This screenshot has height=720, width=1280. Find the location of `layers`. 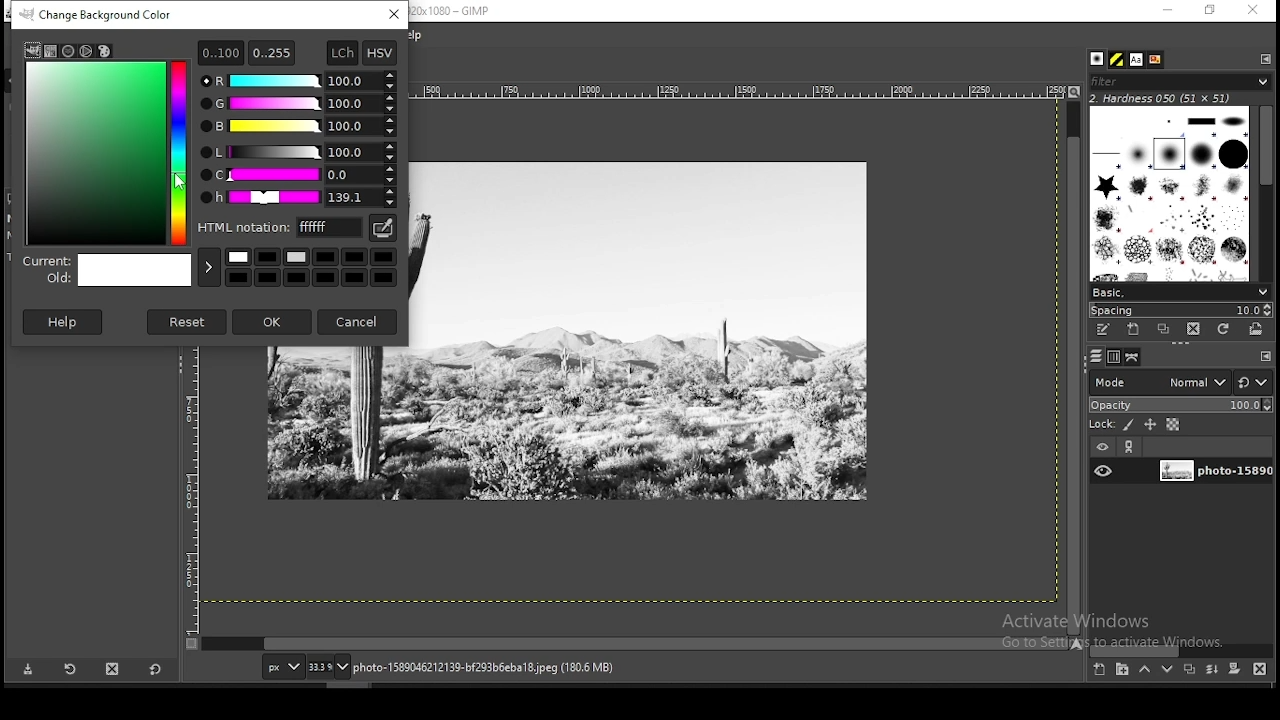

layers is located at coordinates (1096, 357).